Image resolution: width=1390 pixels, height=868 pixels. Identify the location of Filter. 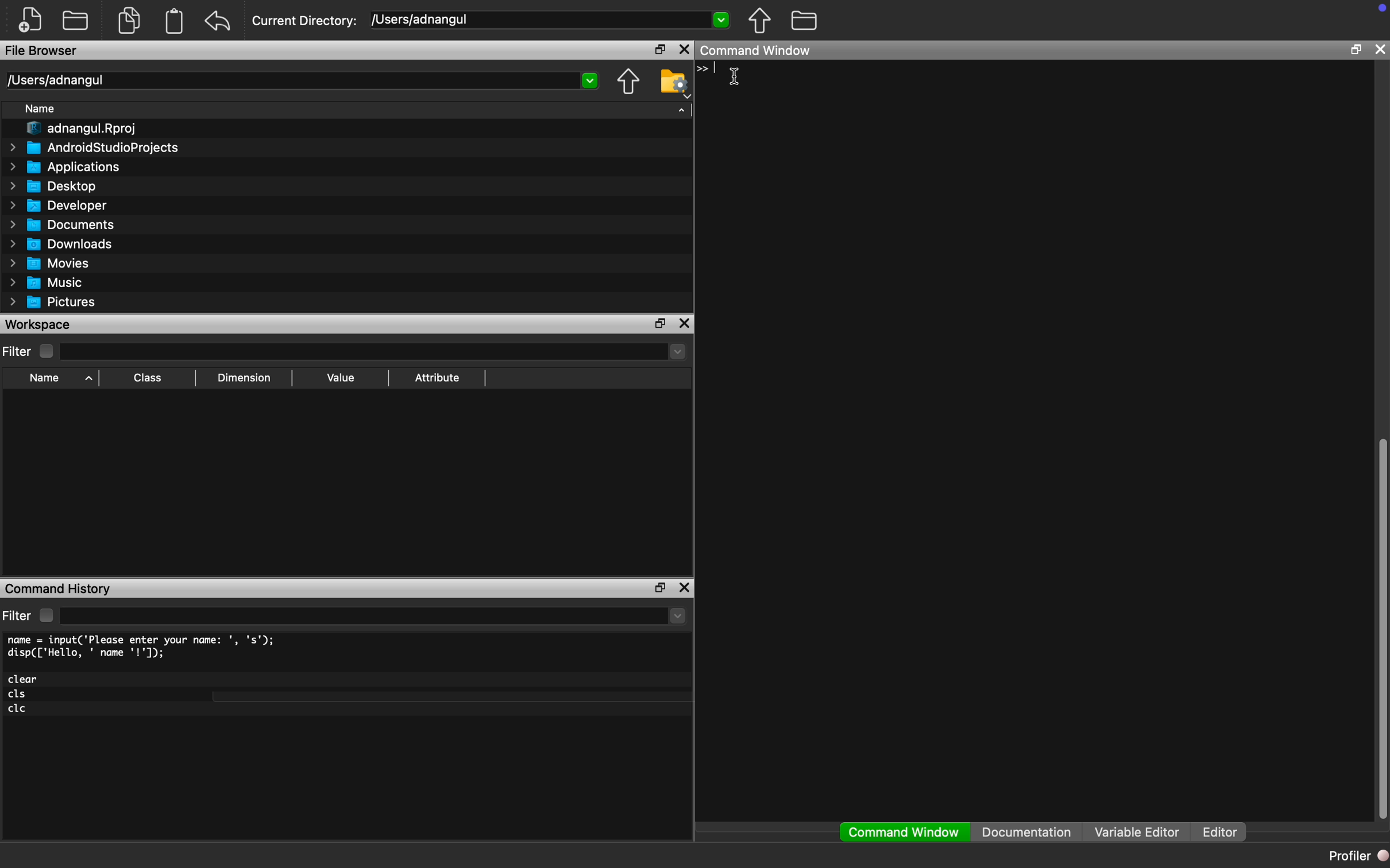
(30, 351).